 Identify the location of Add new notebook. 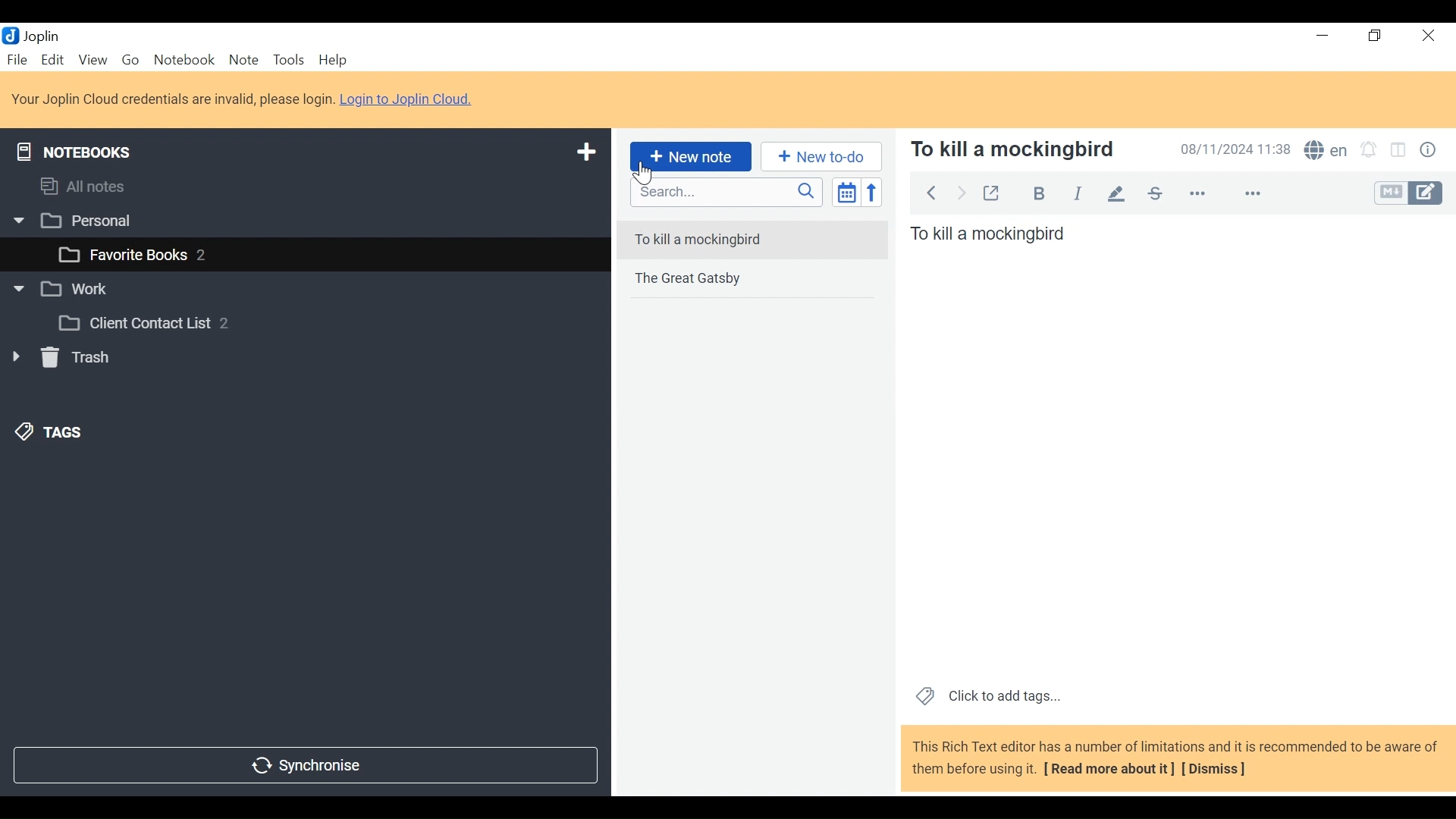
(586, 154).